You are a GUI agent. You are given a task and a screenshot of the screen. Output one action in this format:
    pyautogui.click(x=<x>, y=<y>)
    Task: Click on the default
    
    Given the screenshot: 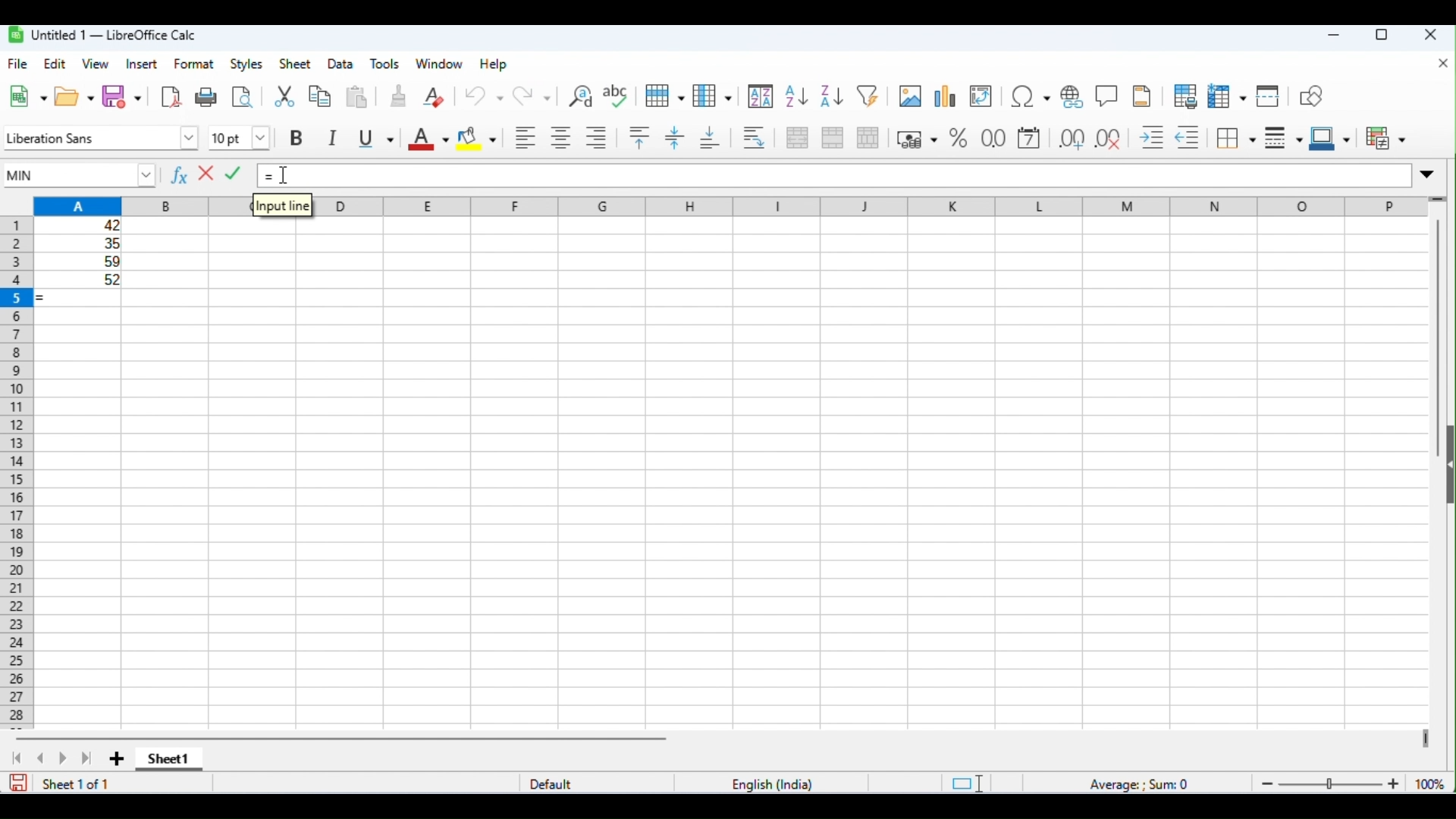 What is the action you would take?
    pyautogui.click(x=551, y=782)
    